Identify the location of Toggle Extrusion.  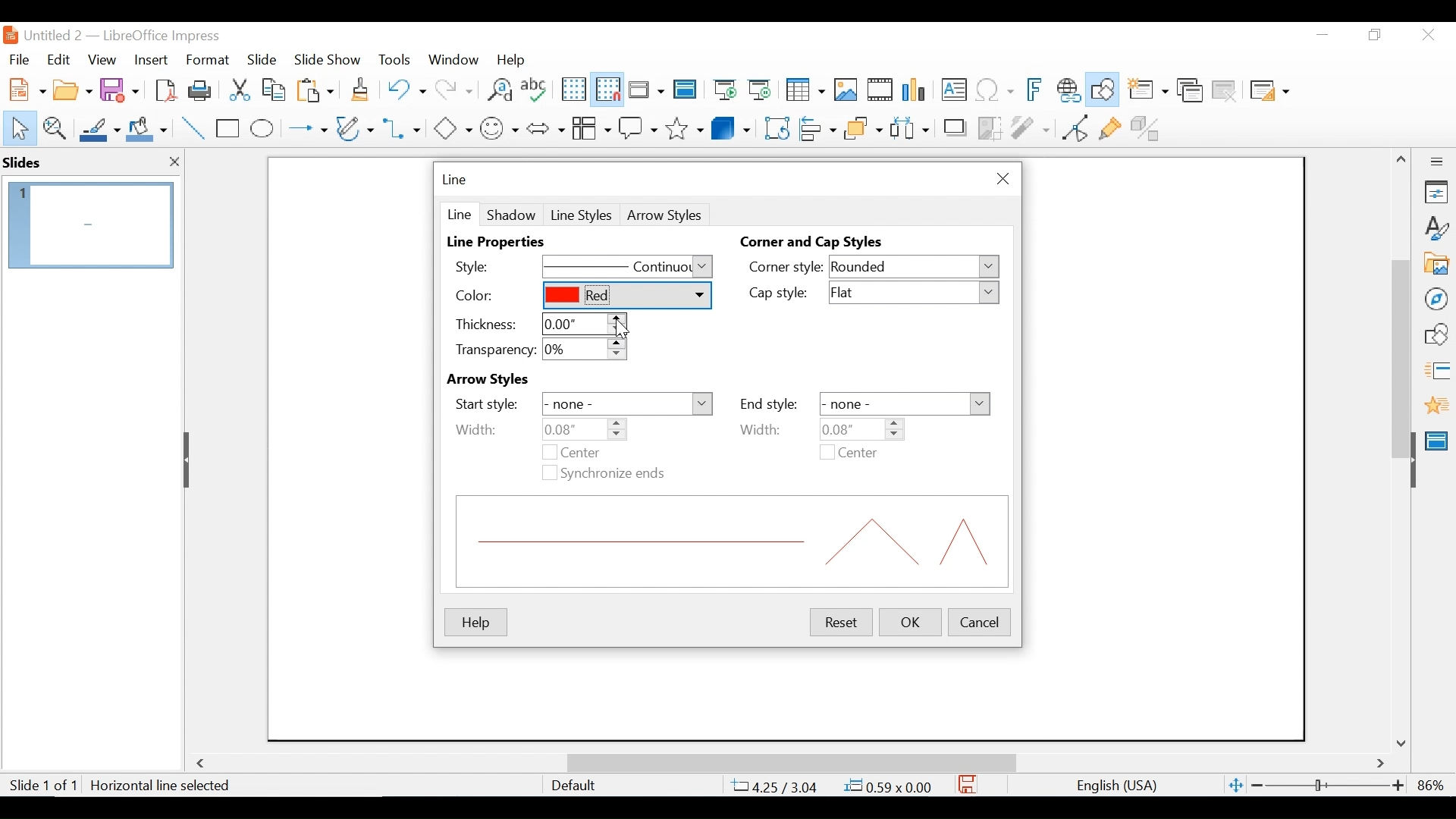
(1149, 127).